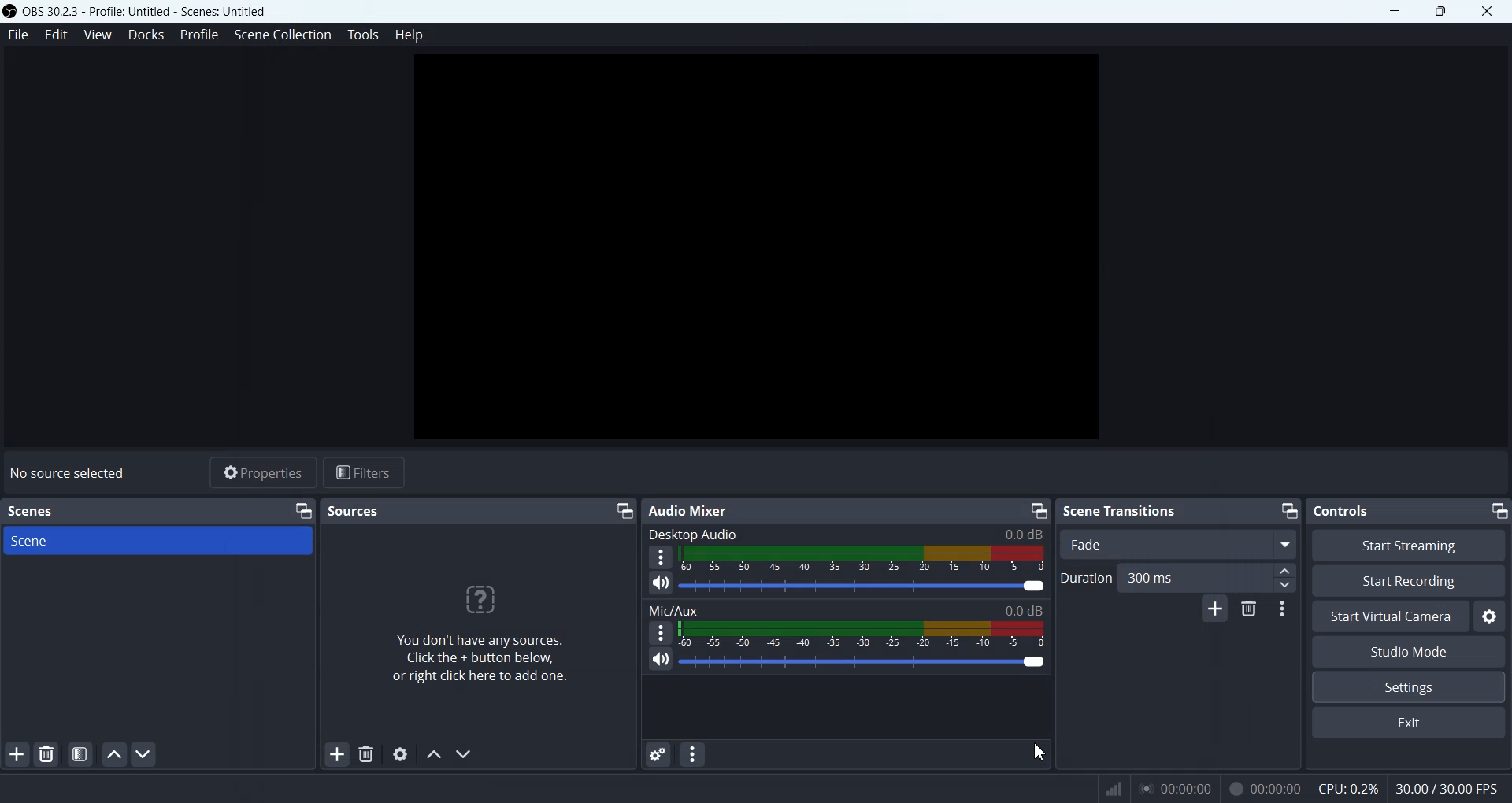 The height and width of the screenshot is (803, 1512). Describe the element at coordinates (302, 511) in the screenshot. I see `Minimize` at that location.